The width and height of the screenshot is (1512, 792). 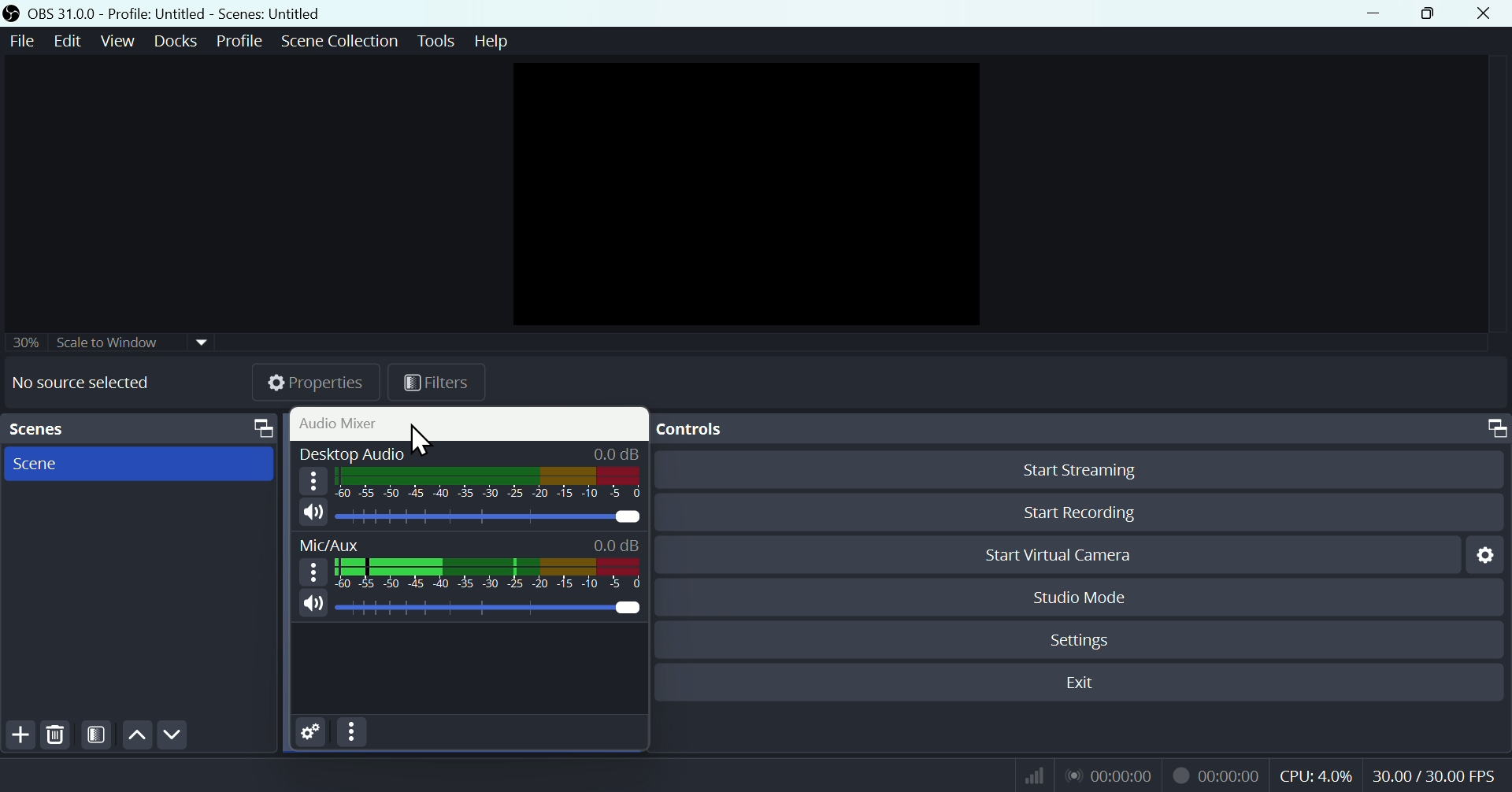 I want to click on Add, so click(x=16, y=735).